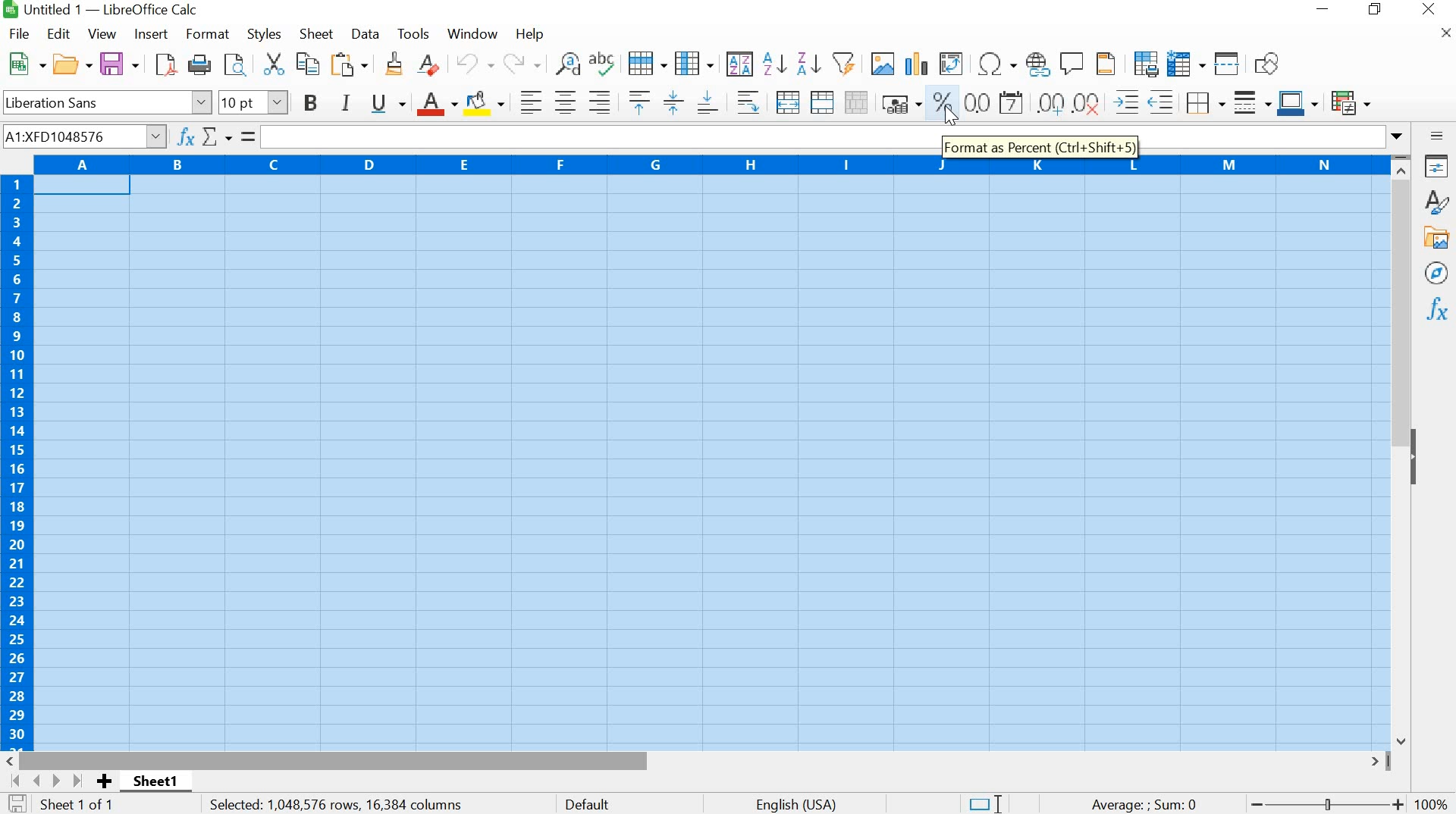 This screenshot has width=1456, height=814. Describe the element at coordinates (648, 63) in the screenshot. I see `ROW` at that location.